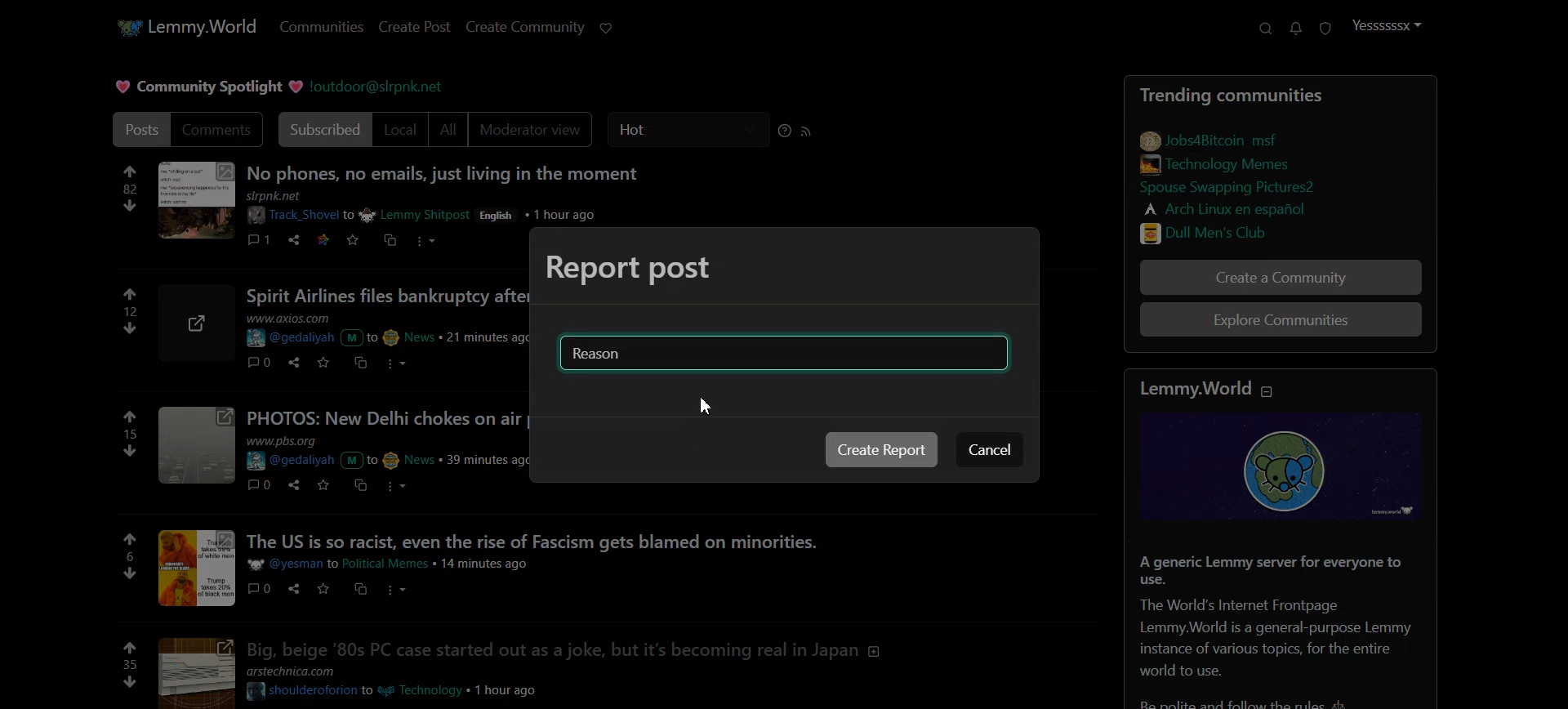 Image resolution: width=1568 pixels, height=709 pixels. I want to click on more, so click(428, 243).